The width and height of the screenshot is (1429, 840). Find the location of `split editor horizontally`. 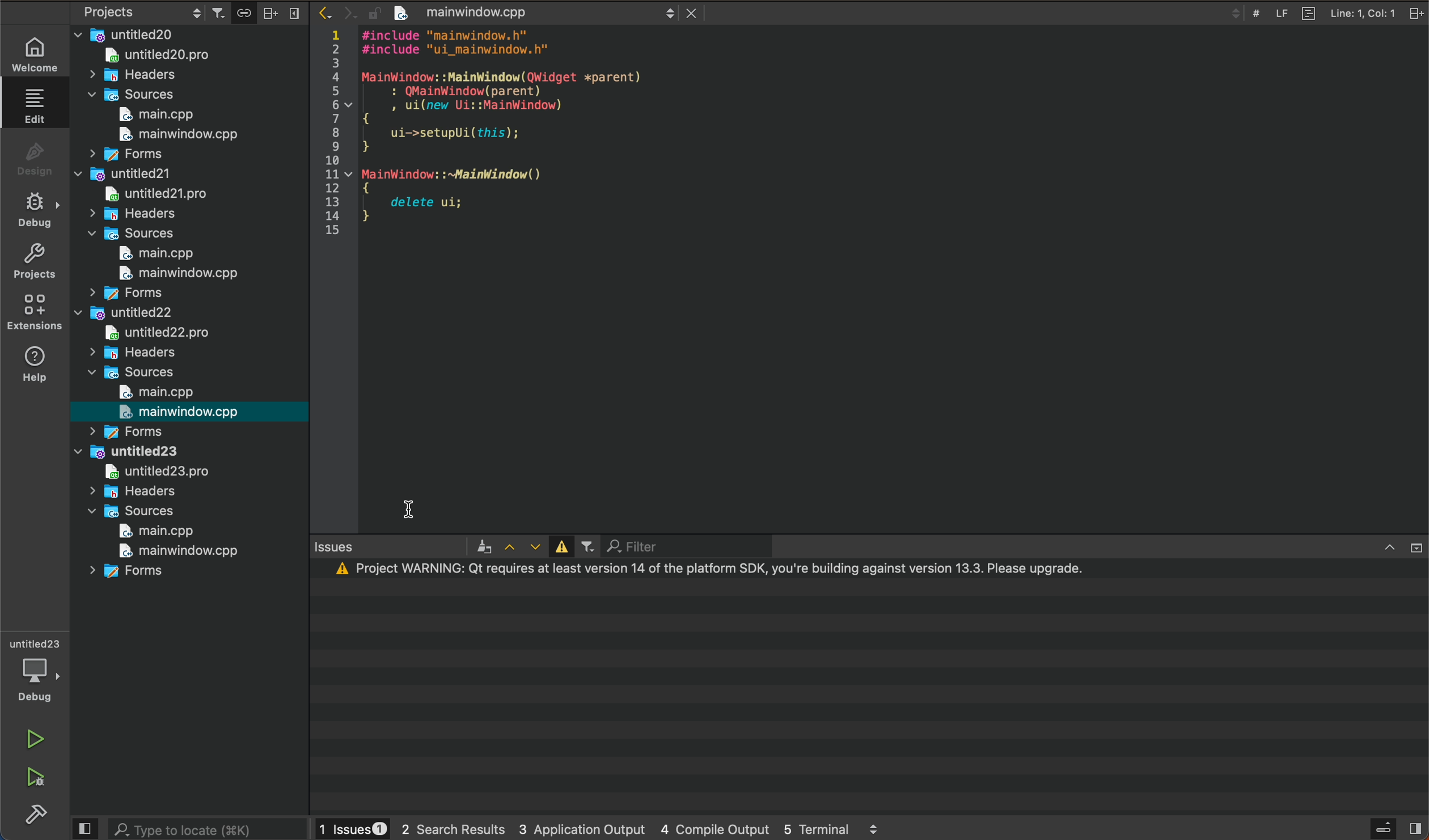

split editor horizontally is located at coordinates (270, 11).